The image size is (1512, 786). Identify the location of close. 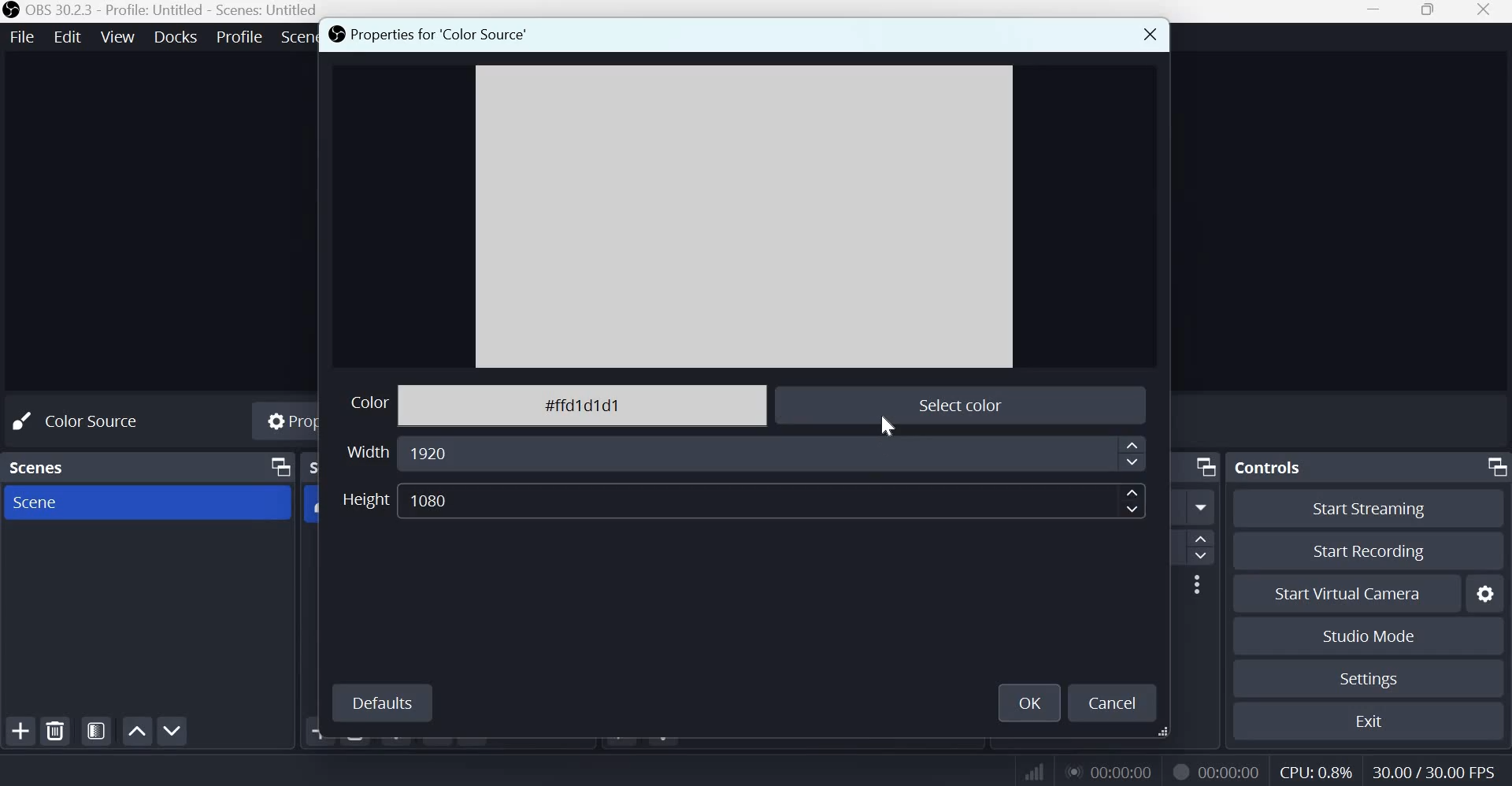
(1147, 33).